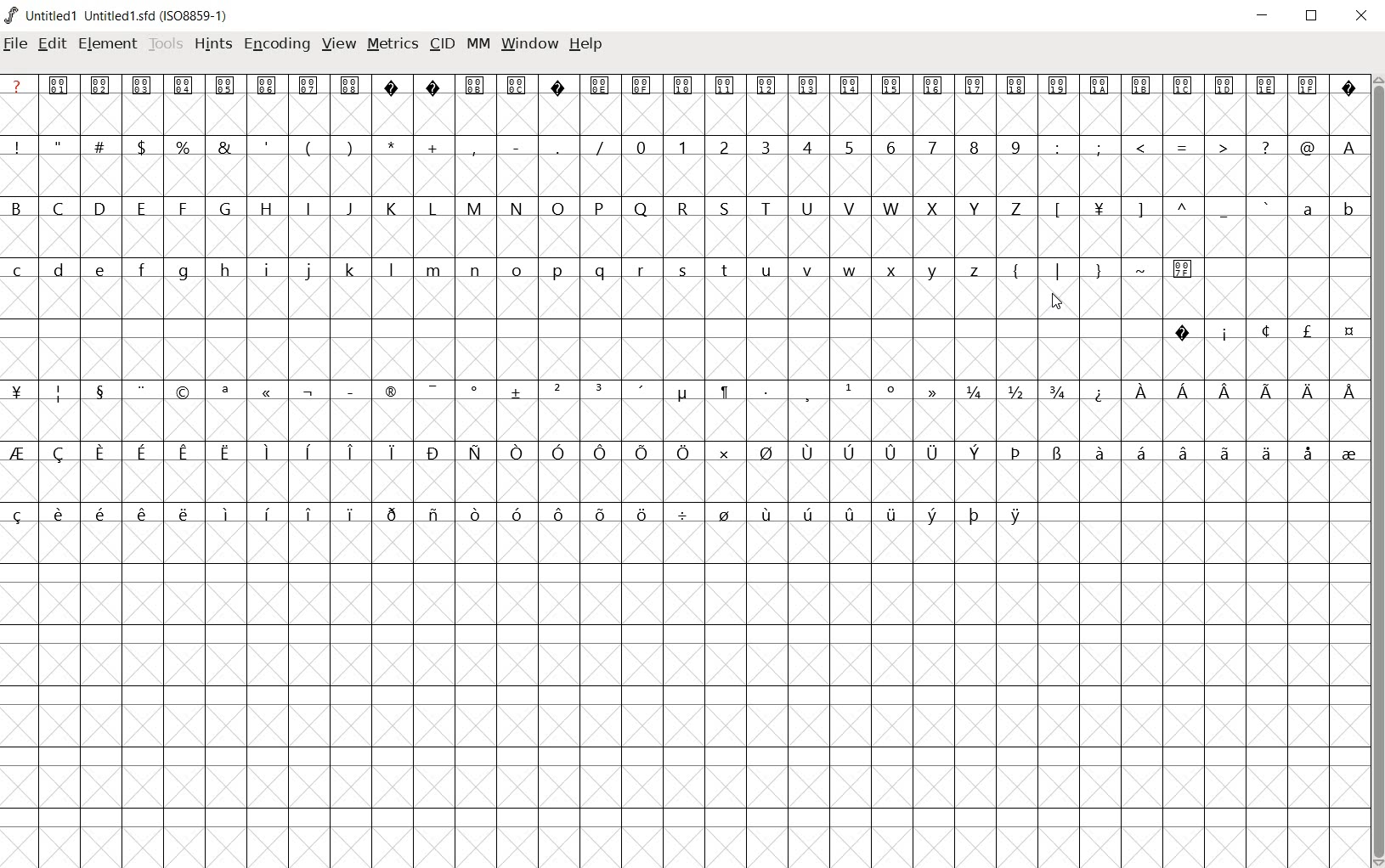 This screenshot has width=1385, height=868. What do you see at coordinates (123, 15) in the screenshot?
I see `Untitled1 Untitled1.sfd (ISO9959-1)` at bounding box center [123, 15].